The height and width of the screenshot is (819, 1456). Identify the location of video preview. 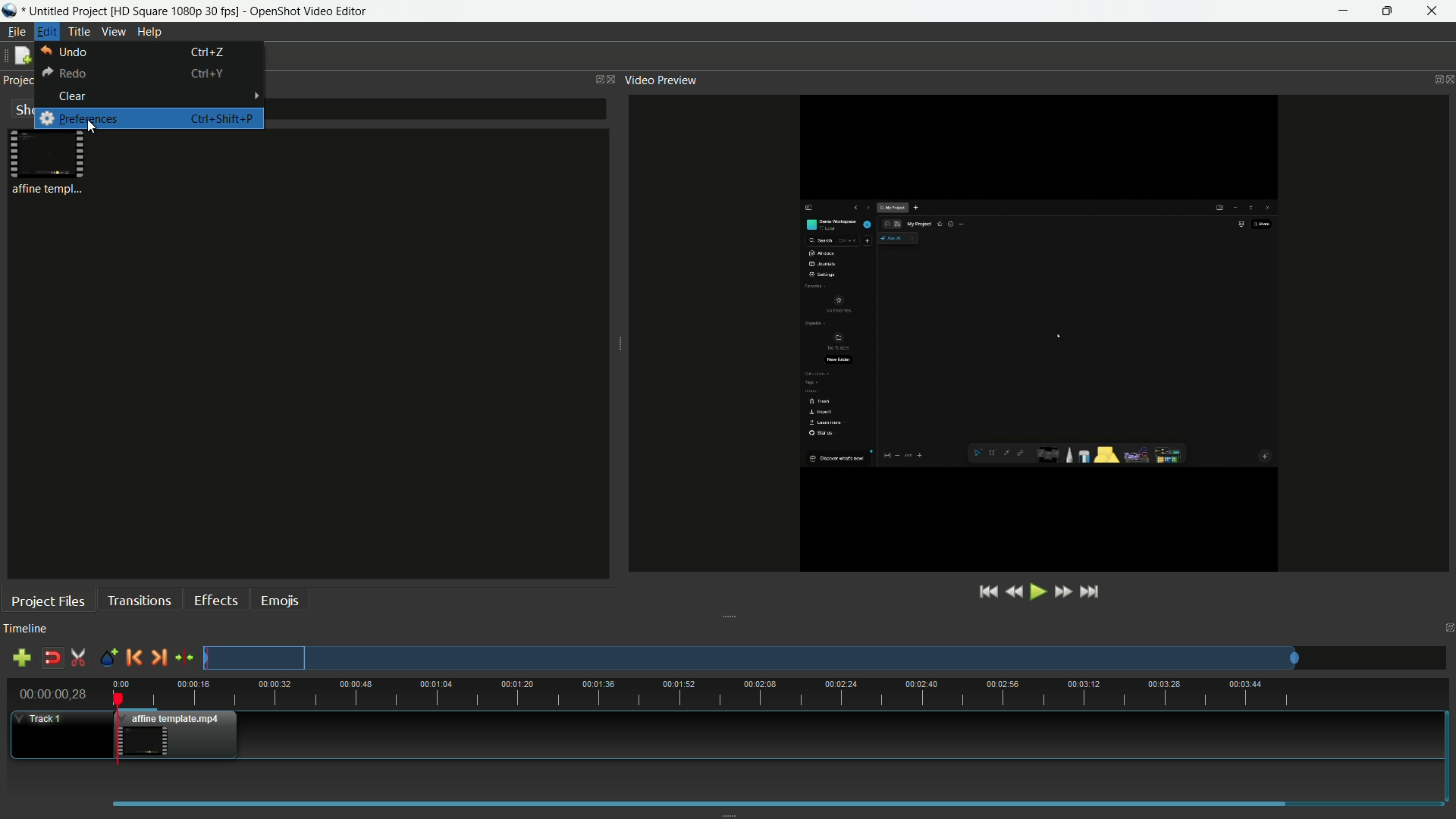
(1034, 331).